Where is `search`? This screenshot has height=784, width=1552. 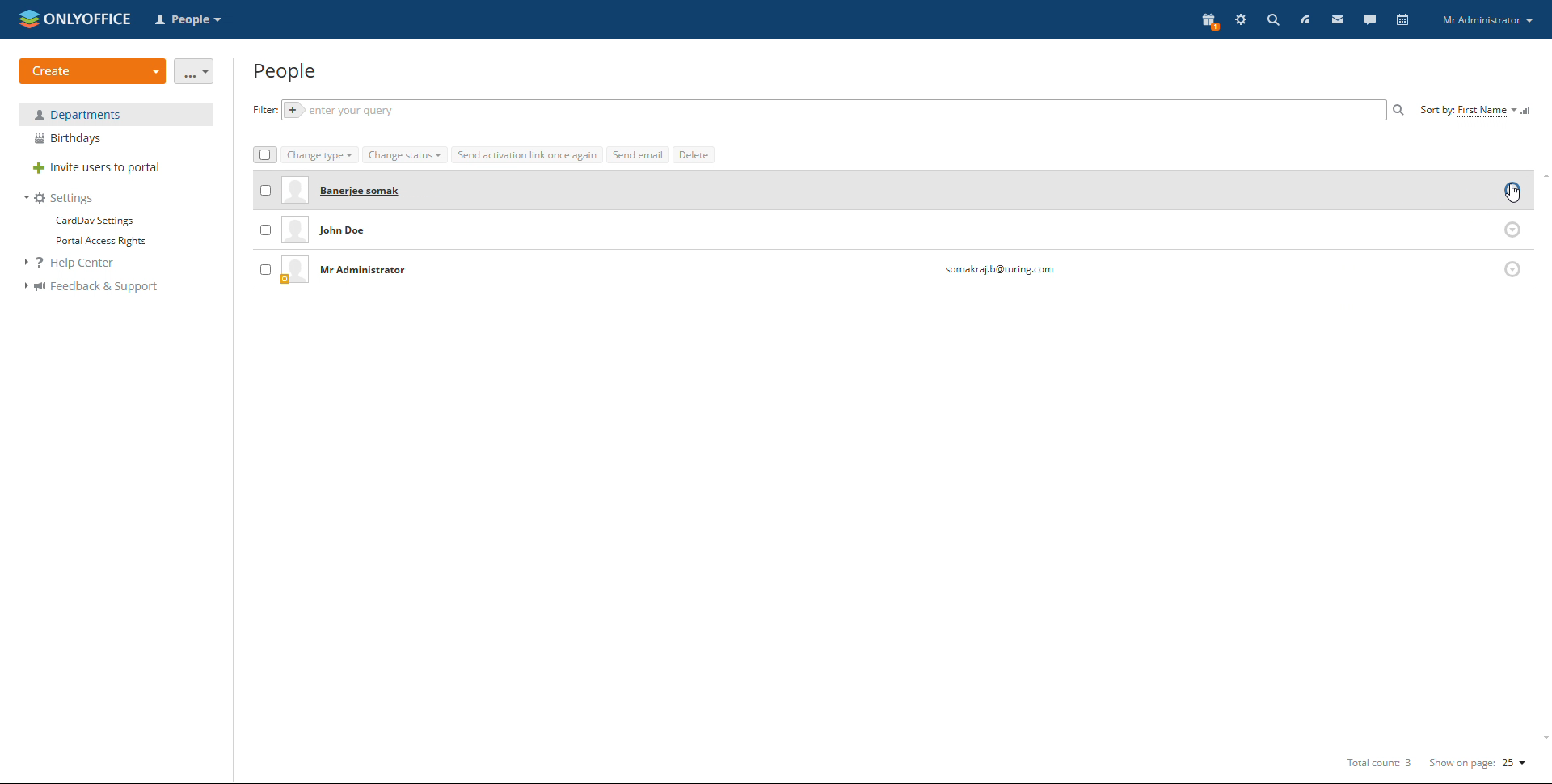 search is located at coordinates (1399, 110).